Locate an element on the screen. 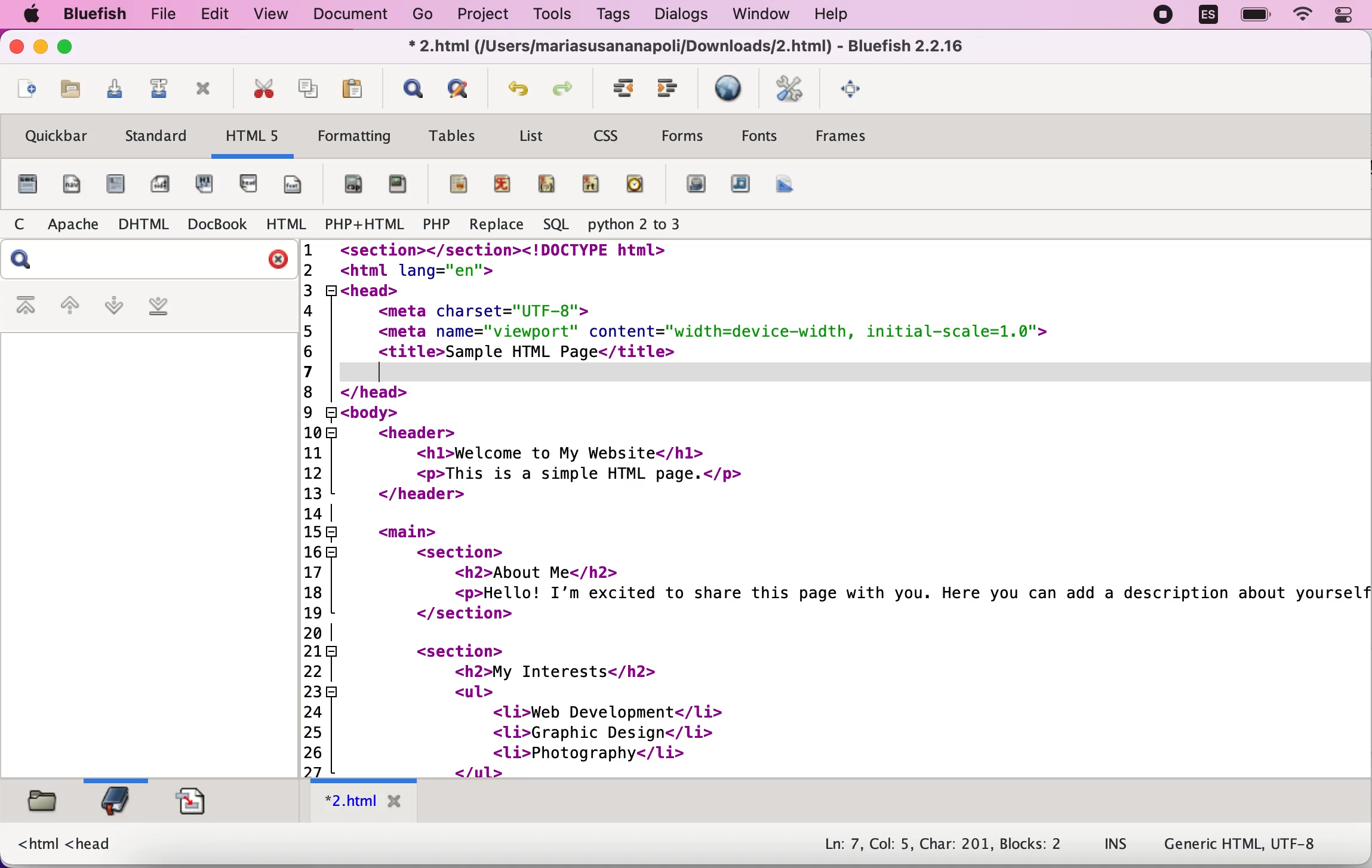 The image size is (1372, 868). snippets is located at coordinates (195, 802).